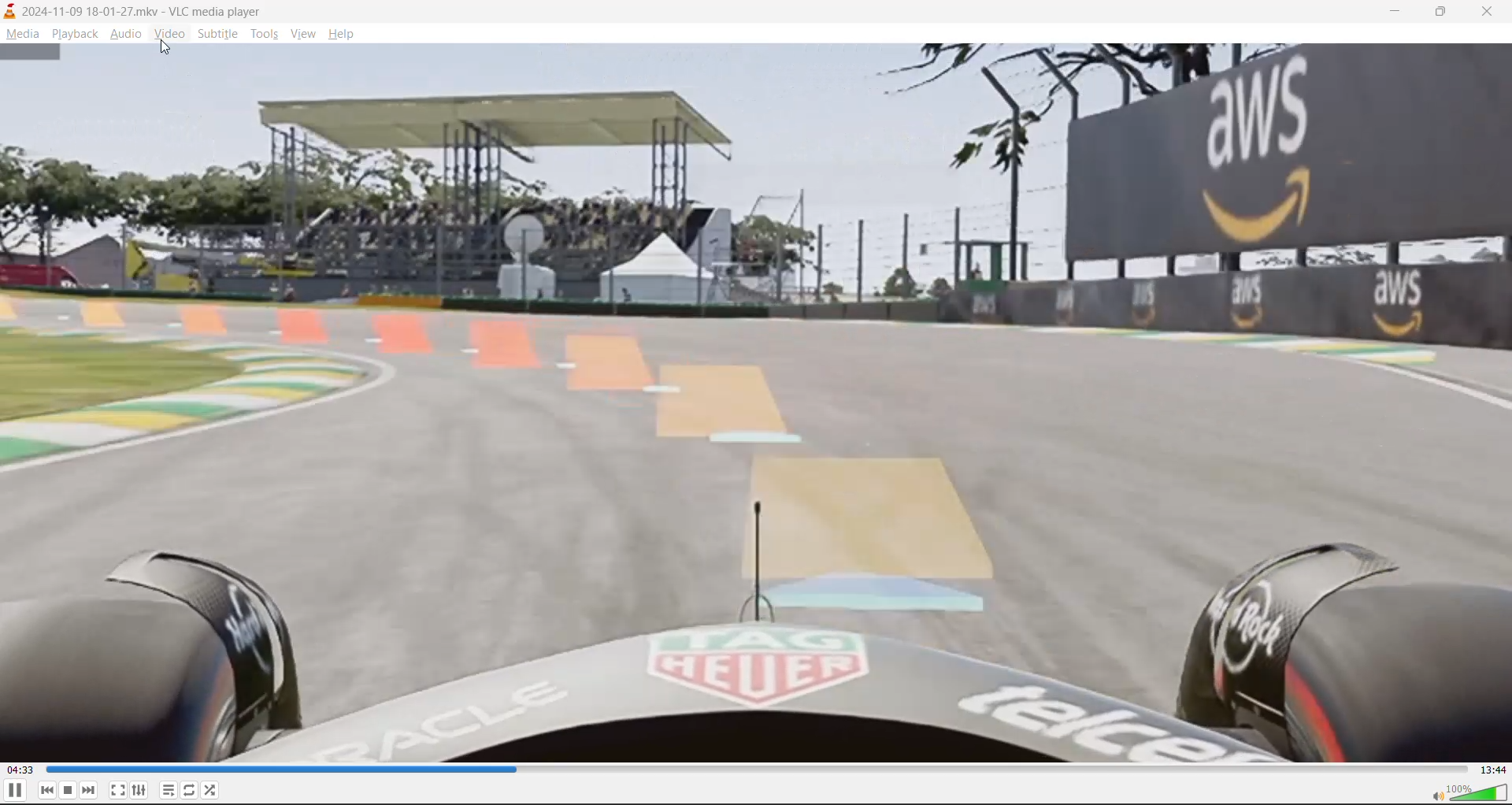 The image size is (1512, 805). Describe the element at coordinates (166, 789) in the screenshot. I see `toggle playlist` at that location.